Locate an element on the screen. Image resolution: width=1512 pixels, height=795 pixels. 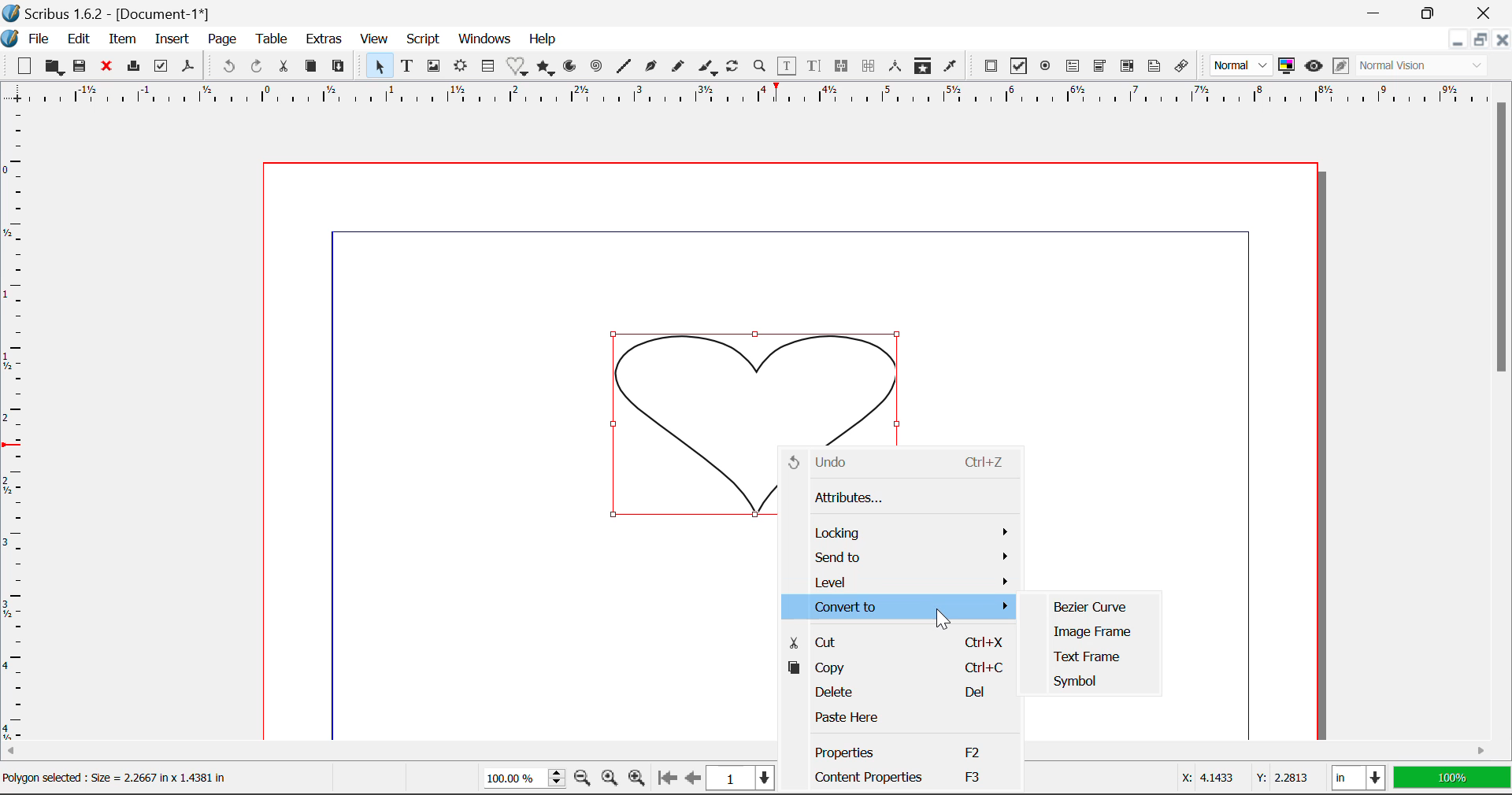
X: 41433 is located at coordinates (1206, 777).